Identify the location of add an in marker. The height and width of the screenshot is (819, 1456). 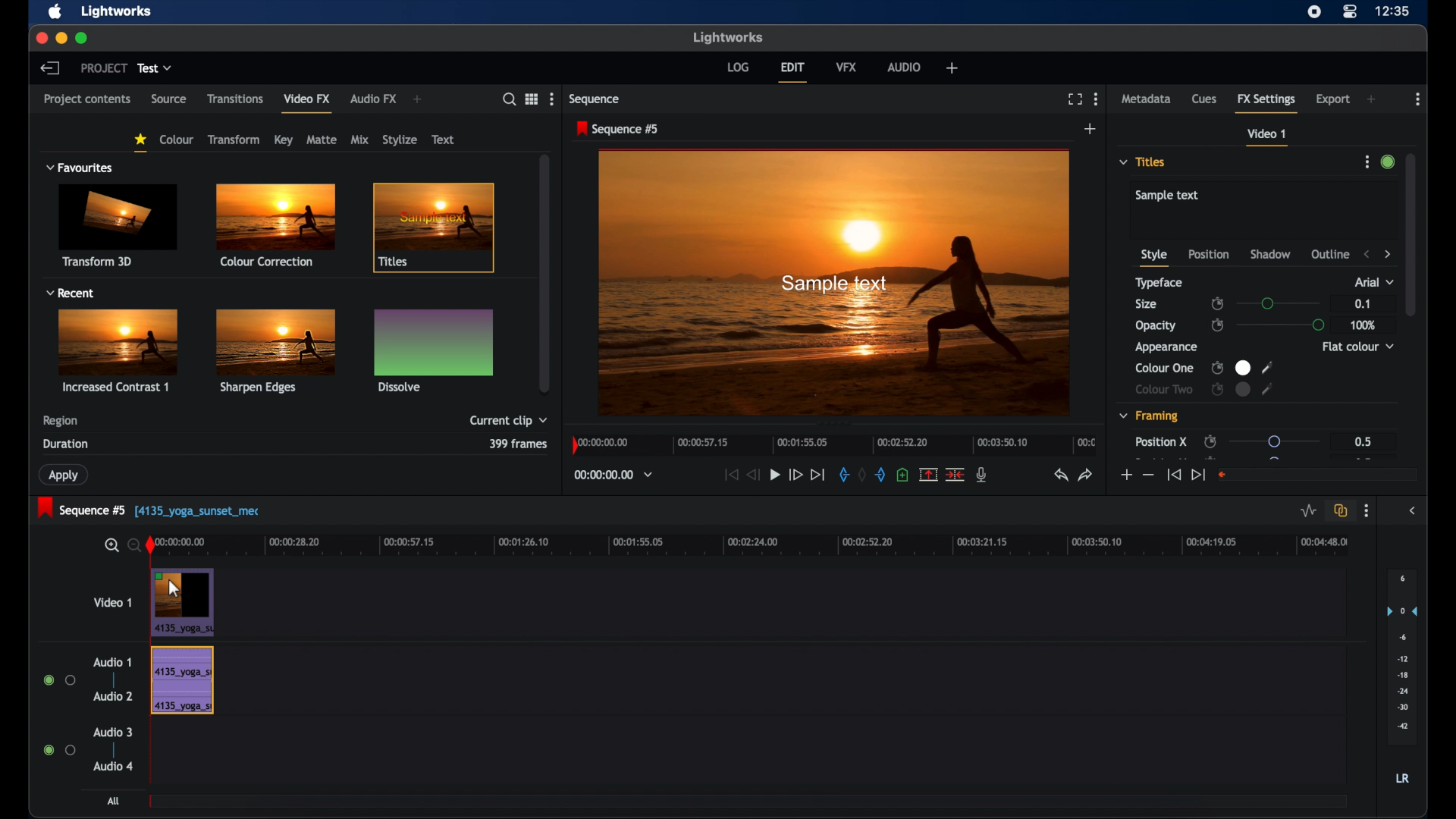
(843, 475).